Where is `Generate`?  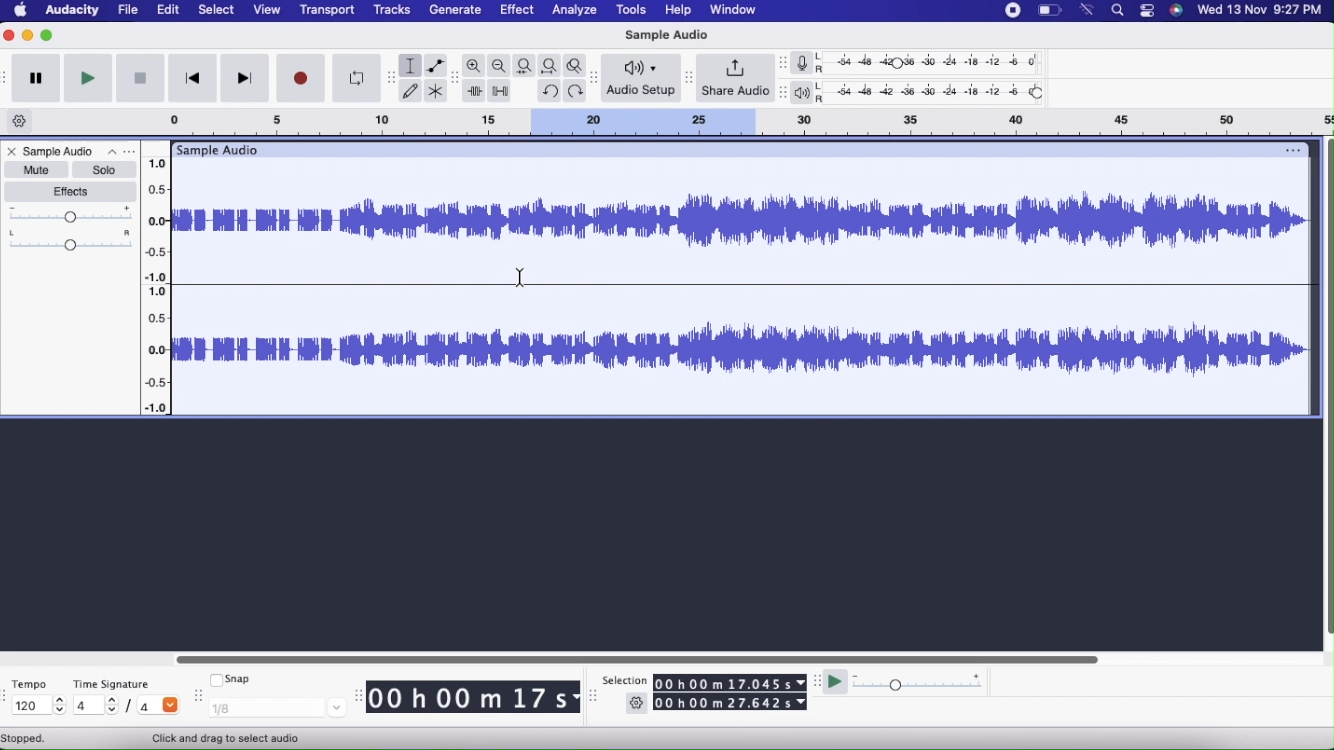
Generate is located at coordinates (457, 9).